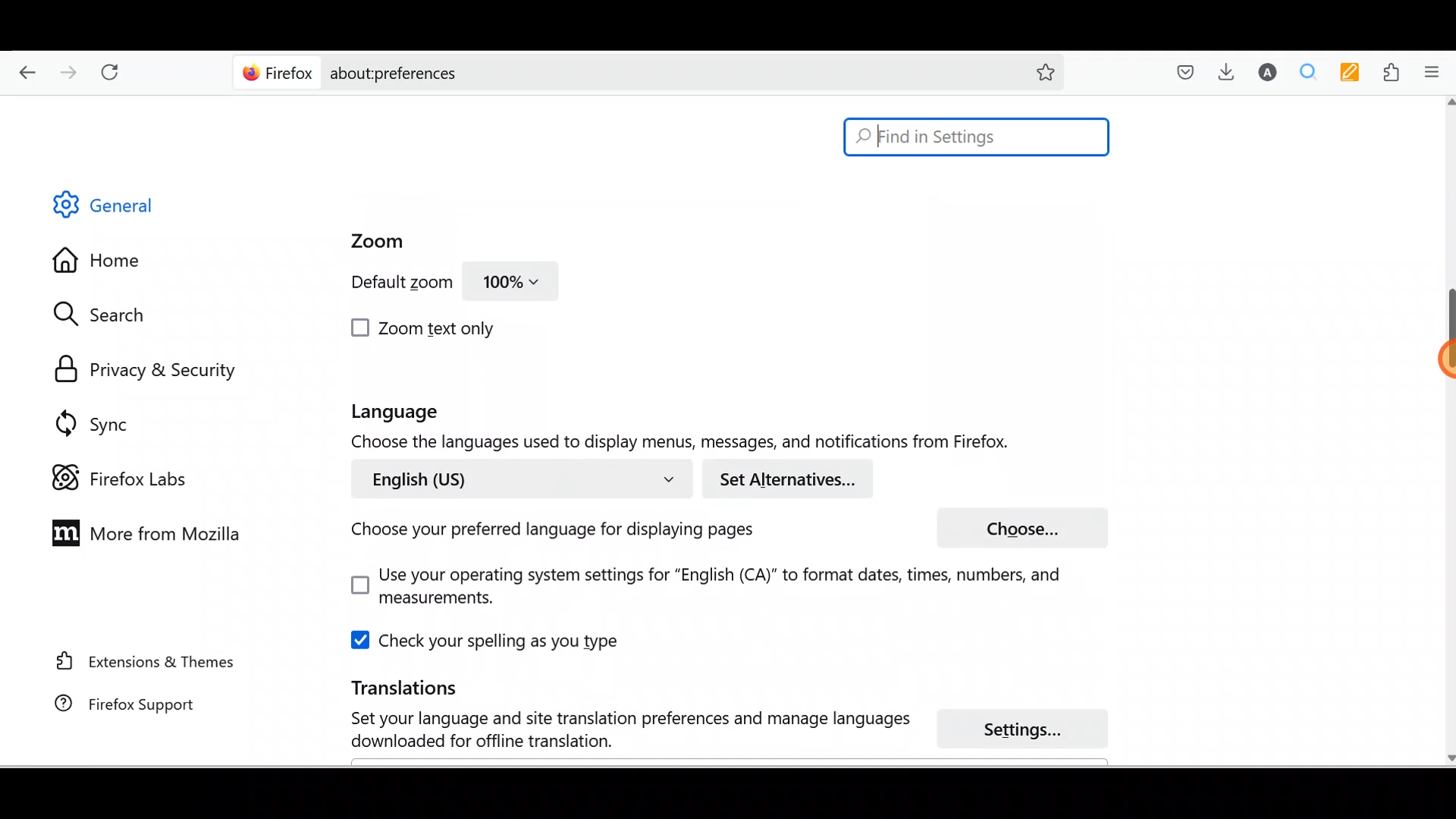  I want to click on Language, so click(422, 413).